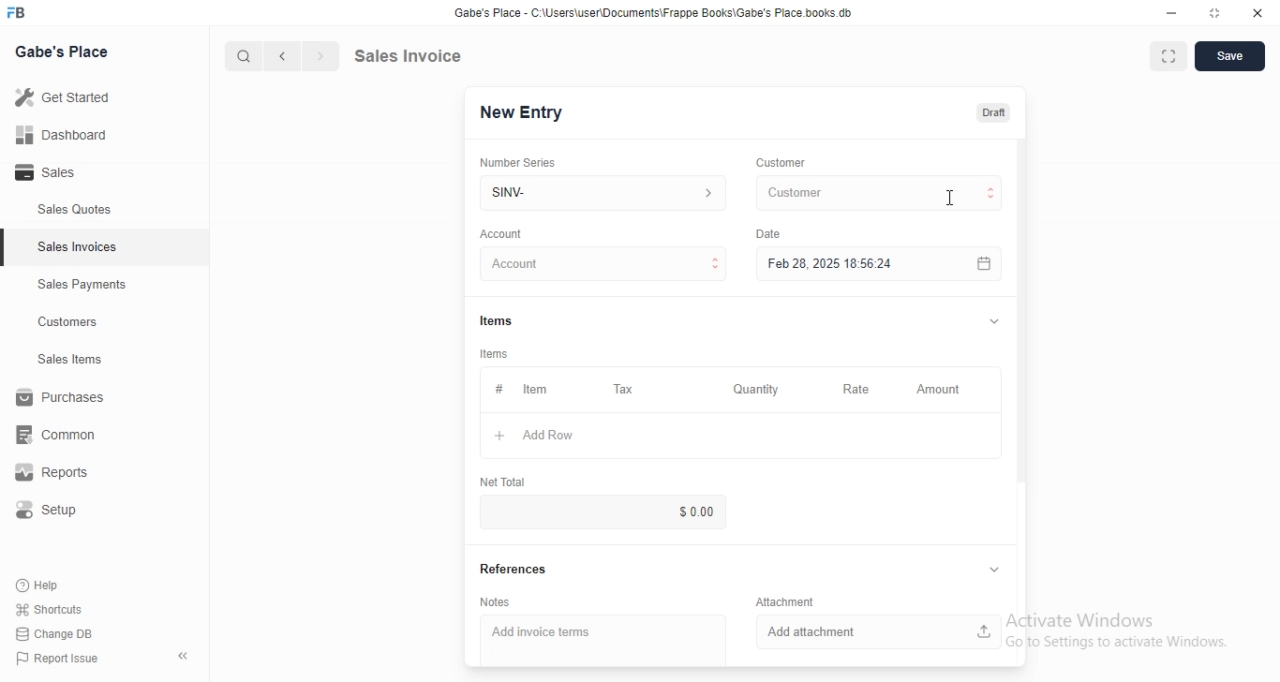 The image size is (1280, 682). Describe the element at coordinates (1021, 321) in the screenshot. I see `scroll bar` at that location.